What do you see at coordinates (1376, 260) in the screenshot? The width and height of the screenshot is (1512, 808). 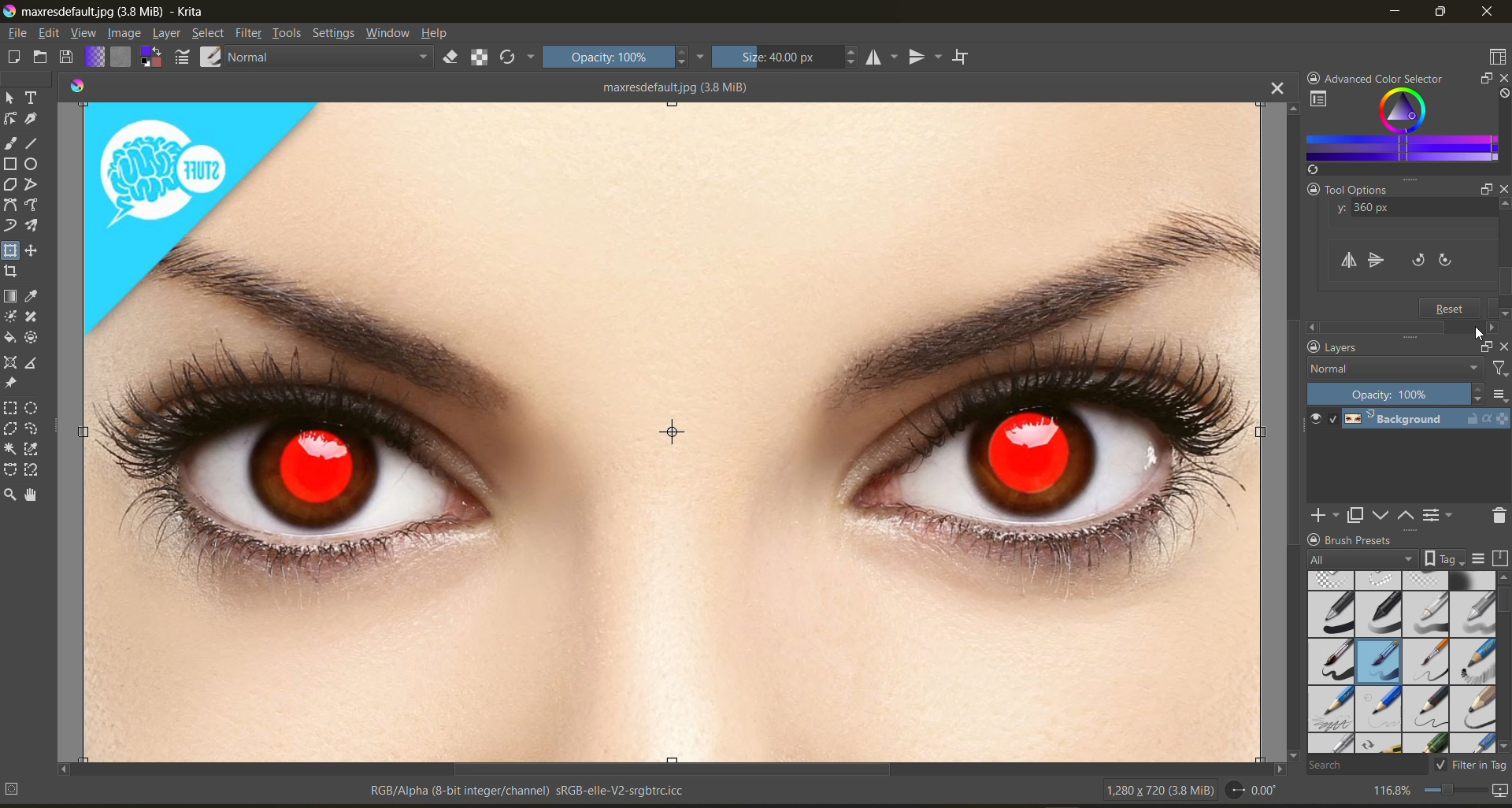 I see `flip canvas vertically` at bounding box center [1376, 260].